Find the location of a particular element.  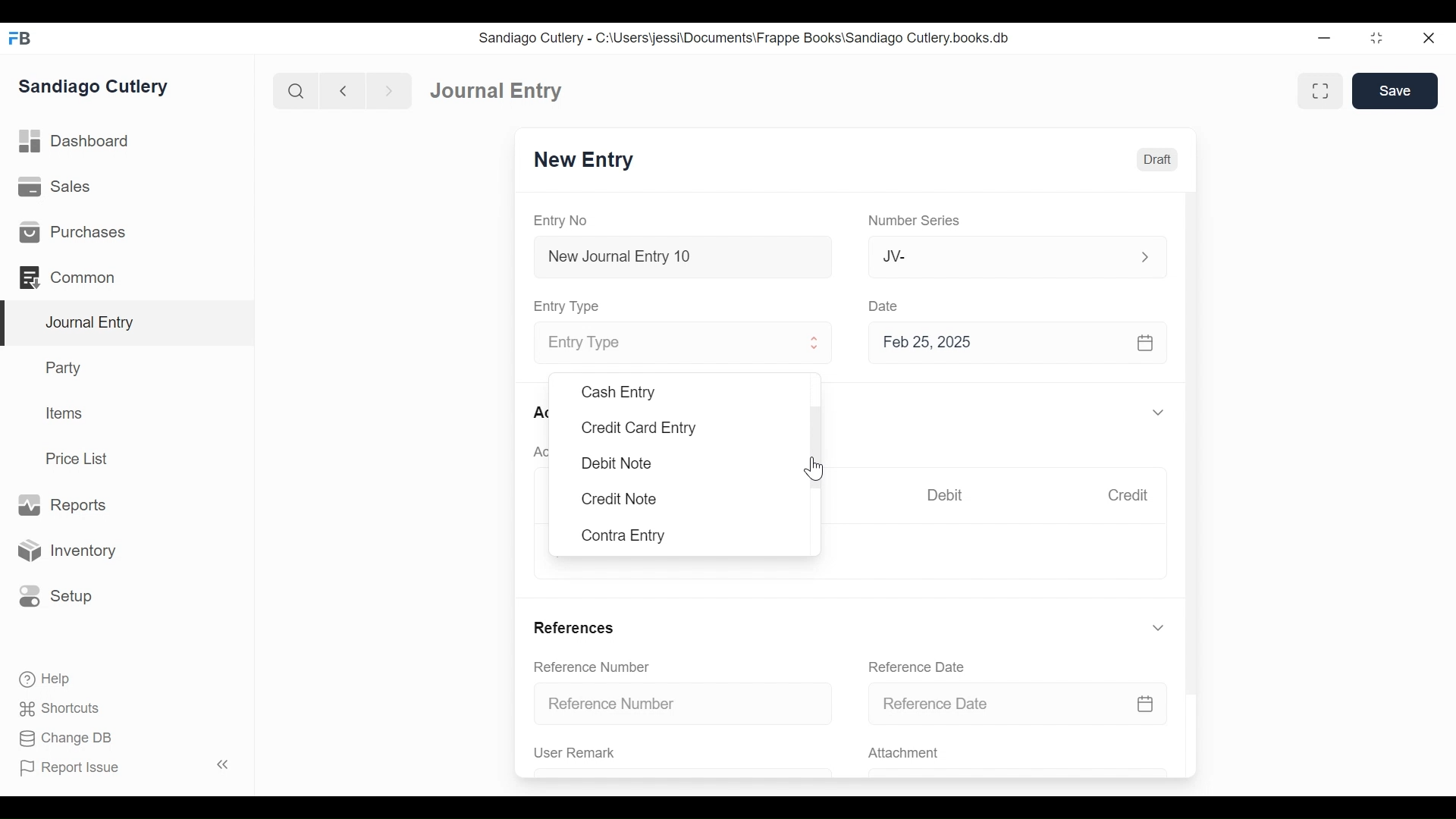

Navigate Back is located at coordinates (344, 91).